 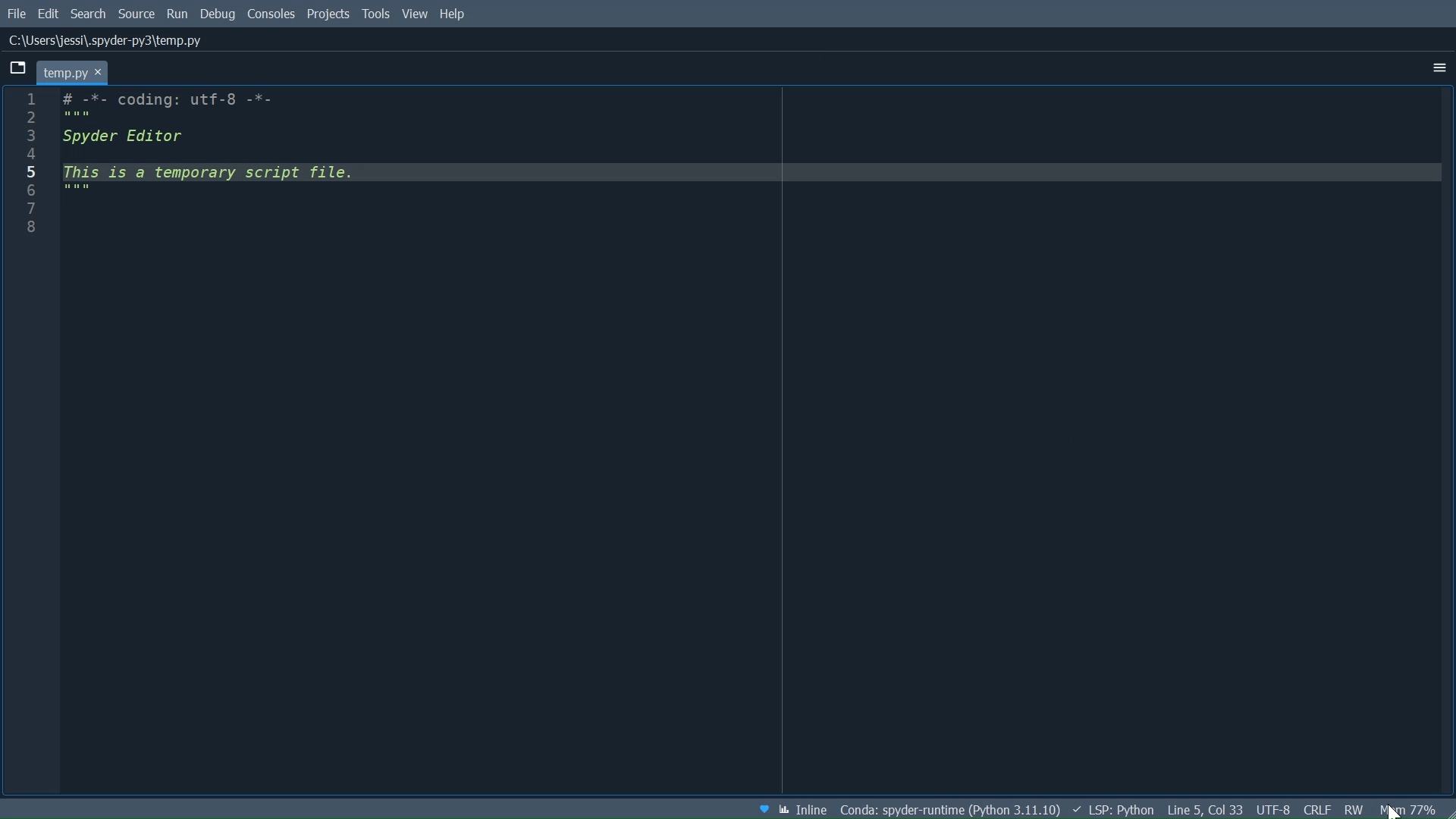 I want to click on Browse Tabs, so click(x=17, y=69).